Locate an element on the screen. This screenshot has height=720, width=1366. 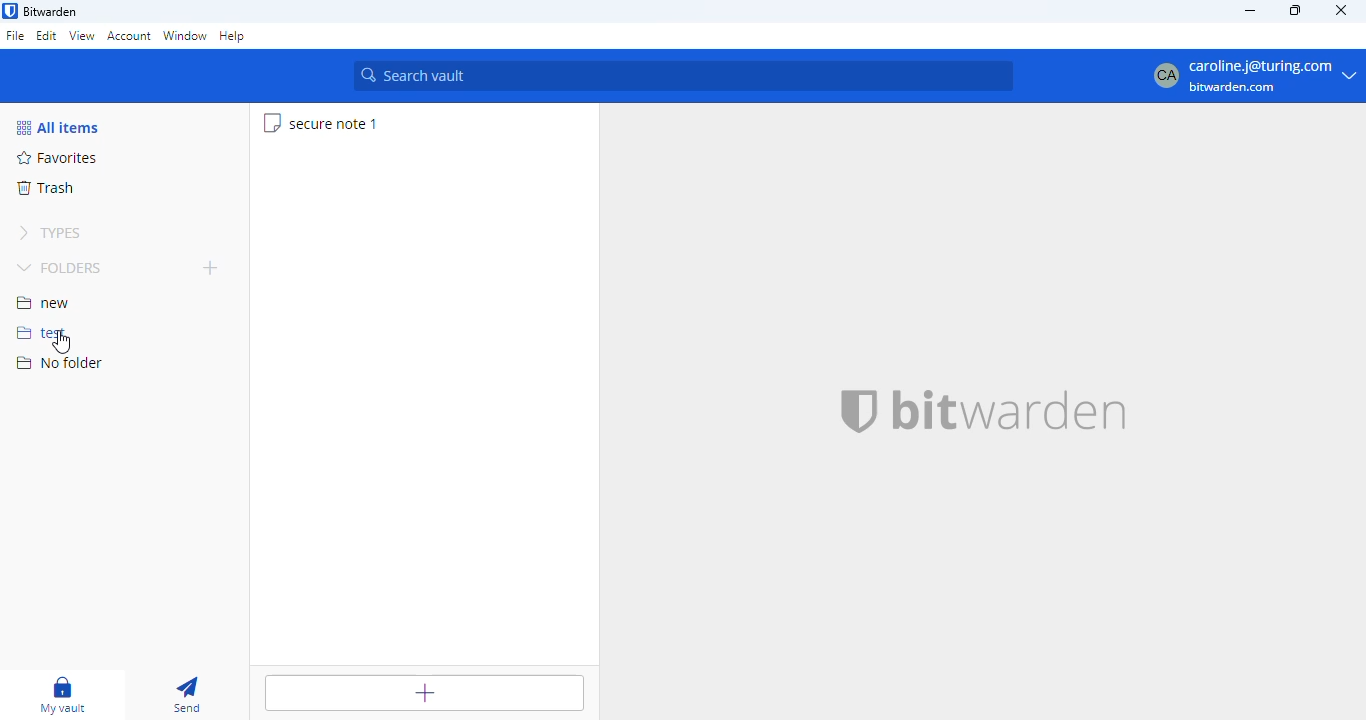
folders is located at coordinates (61, 268).